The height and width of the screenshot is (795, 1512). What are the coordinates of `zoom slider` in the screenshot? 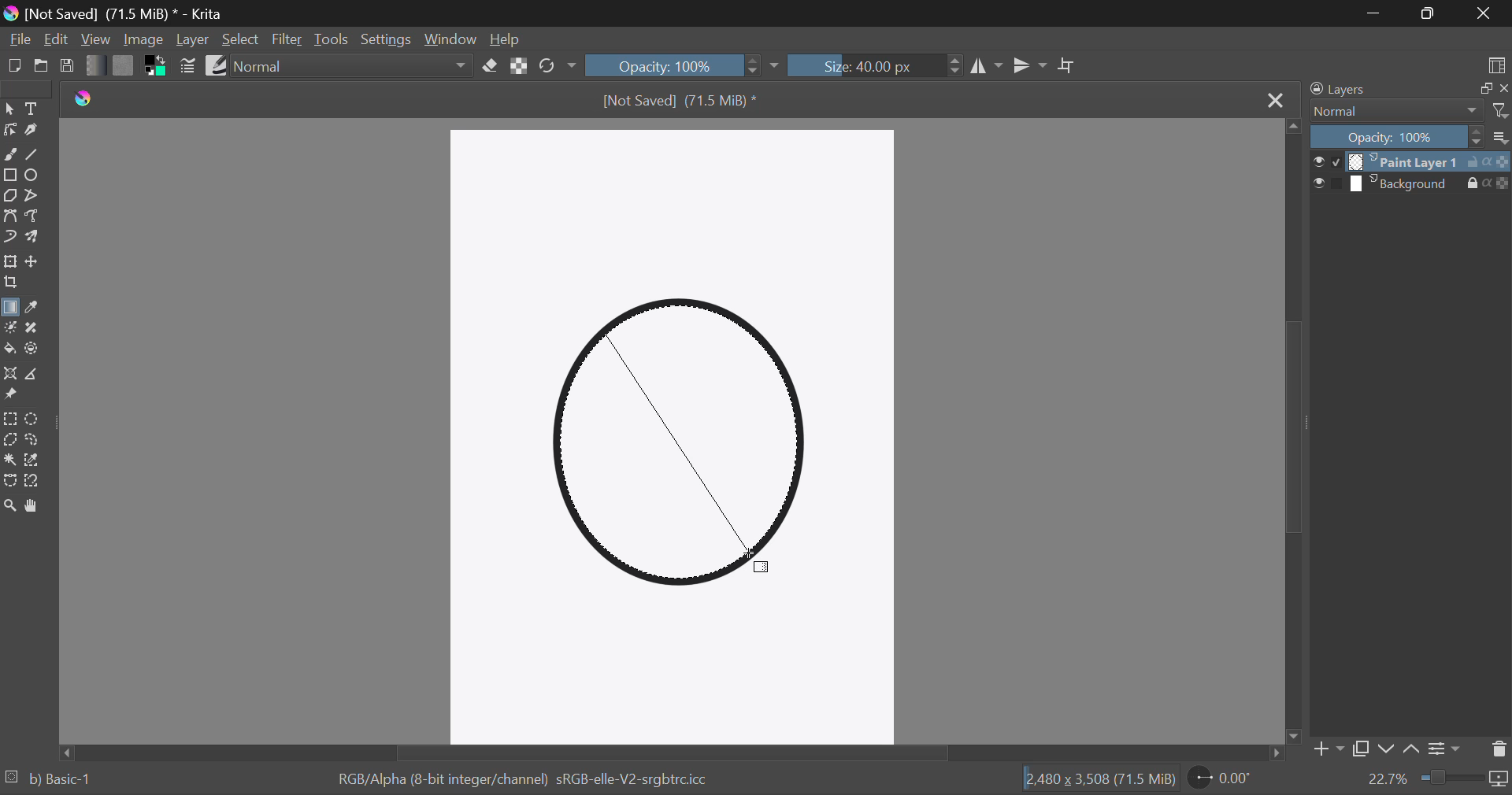 It's located at (1453, 776).